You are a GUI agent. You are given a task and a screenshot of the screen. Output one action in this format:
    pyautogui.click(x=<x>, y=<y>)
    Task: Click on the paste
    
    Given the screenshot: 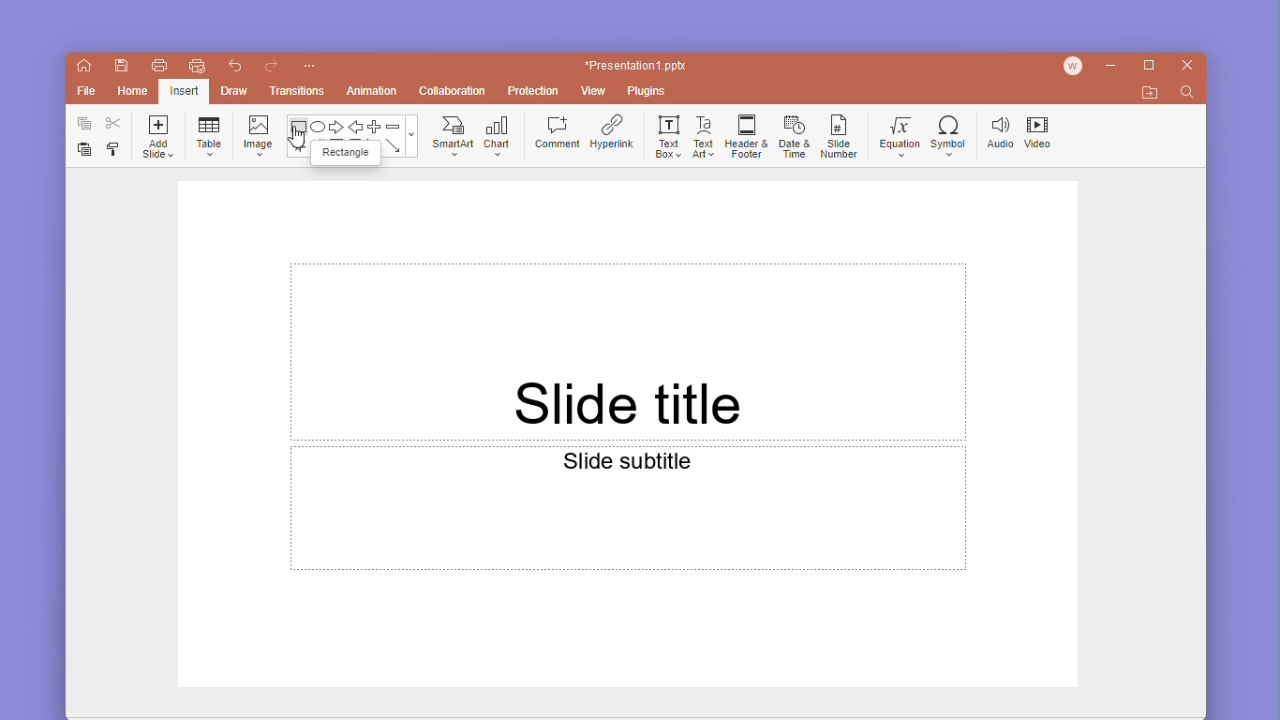 What is the action you would take?
    pyautogui.click(x=79, y=151)
    